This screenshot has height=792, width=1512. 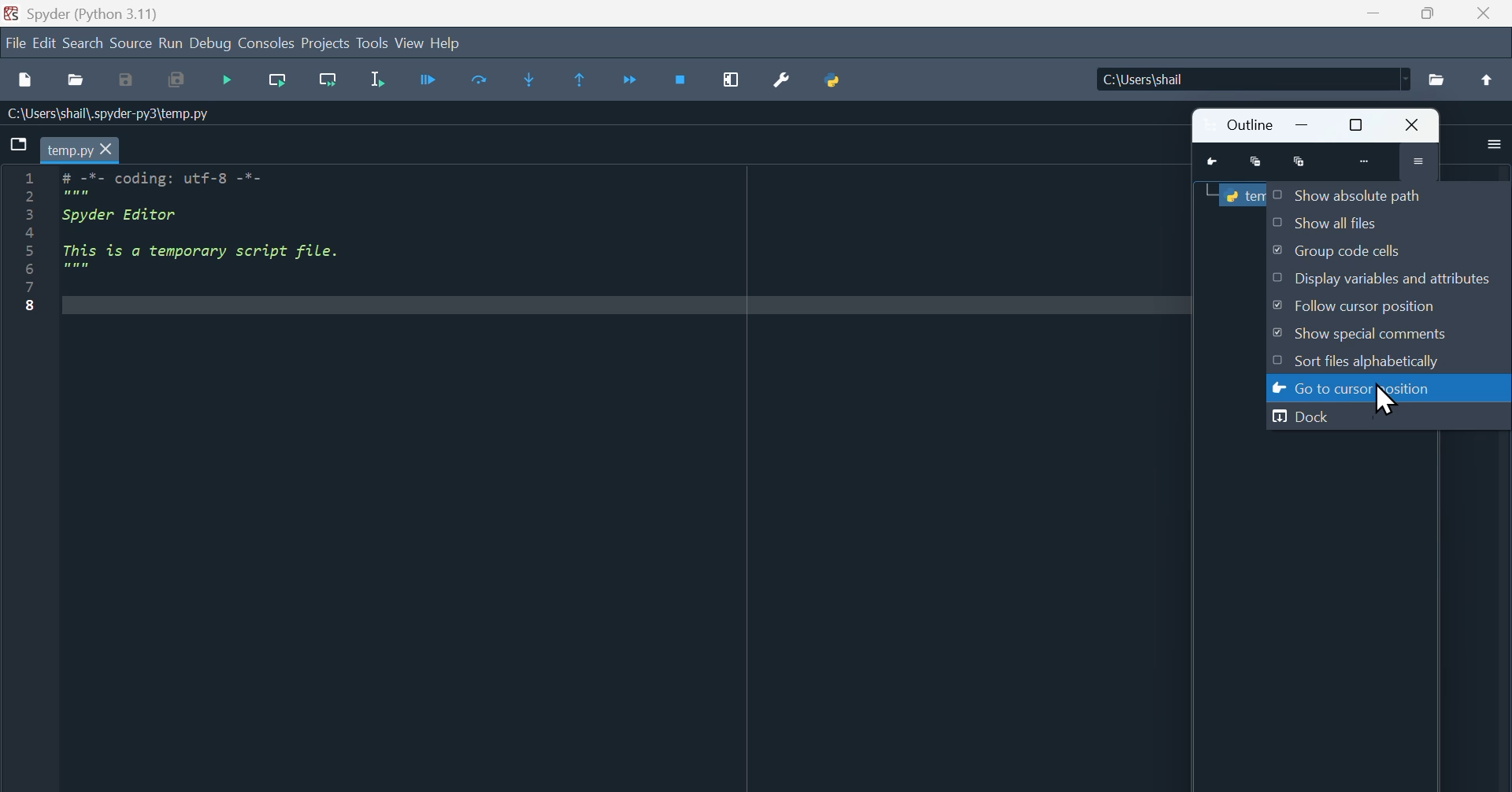 What do you see at coordinates (783, 80) in the screenshot?
I see `Preferences` at bounding box center [783, 80].